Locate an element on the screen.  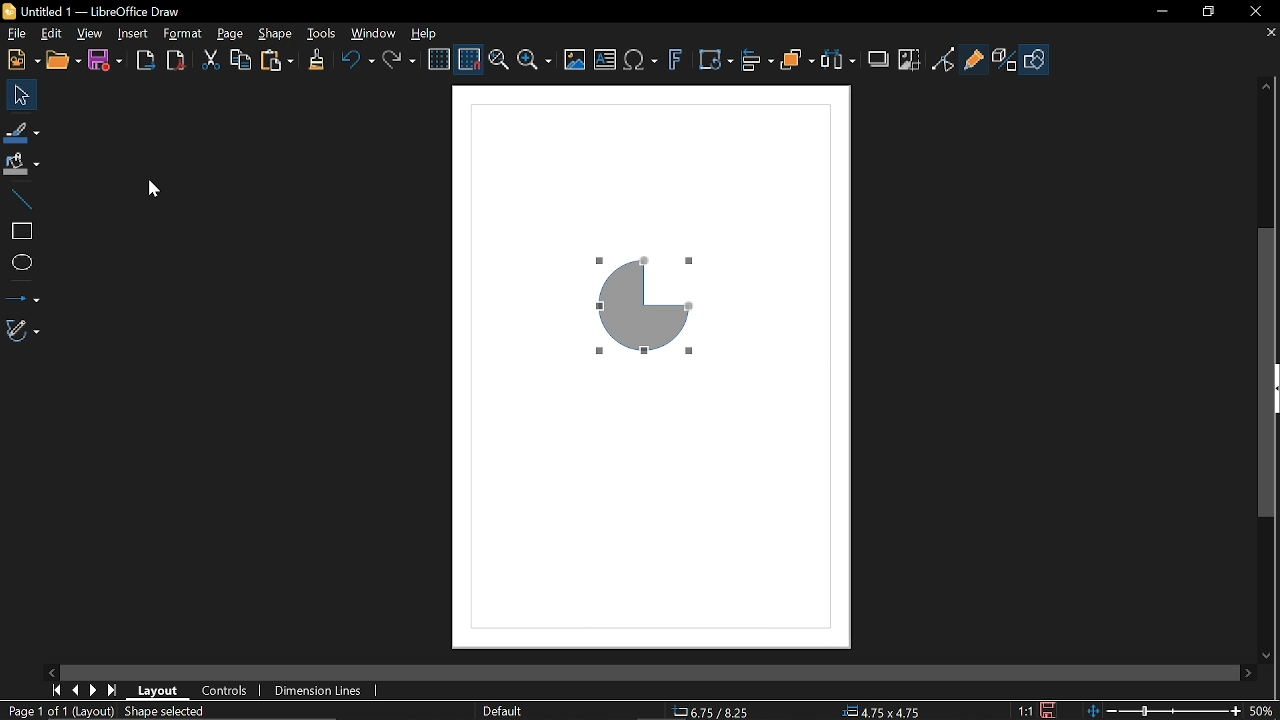
Ellipse is located at coordinates (24, 261).